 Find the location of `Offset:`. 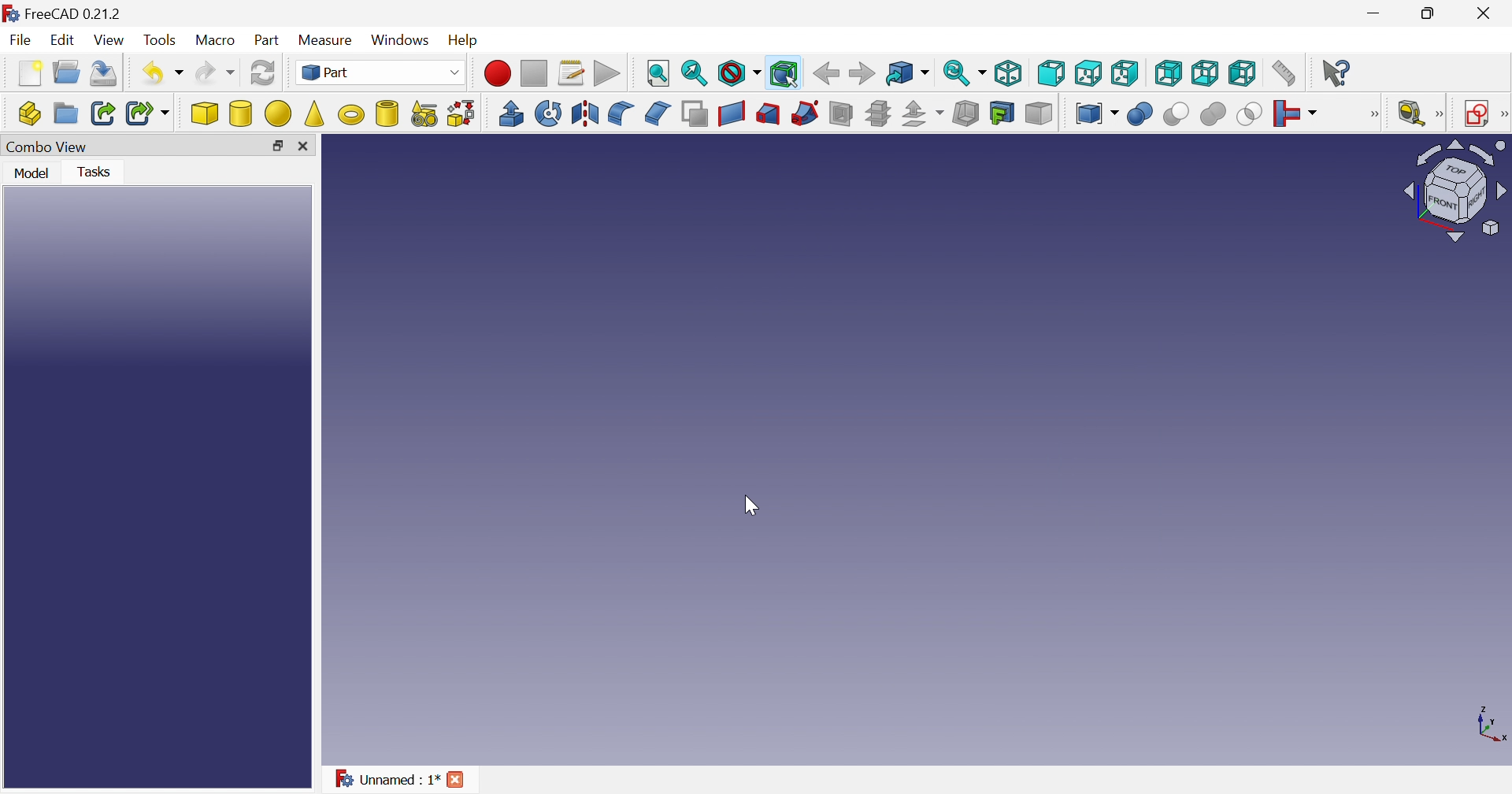

Offset: is located at coordinates (923, 114).